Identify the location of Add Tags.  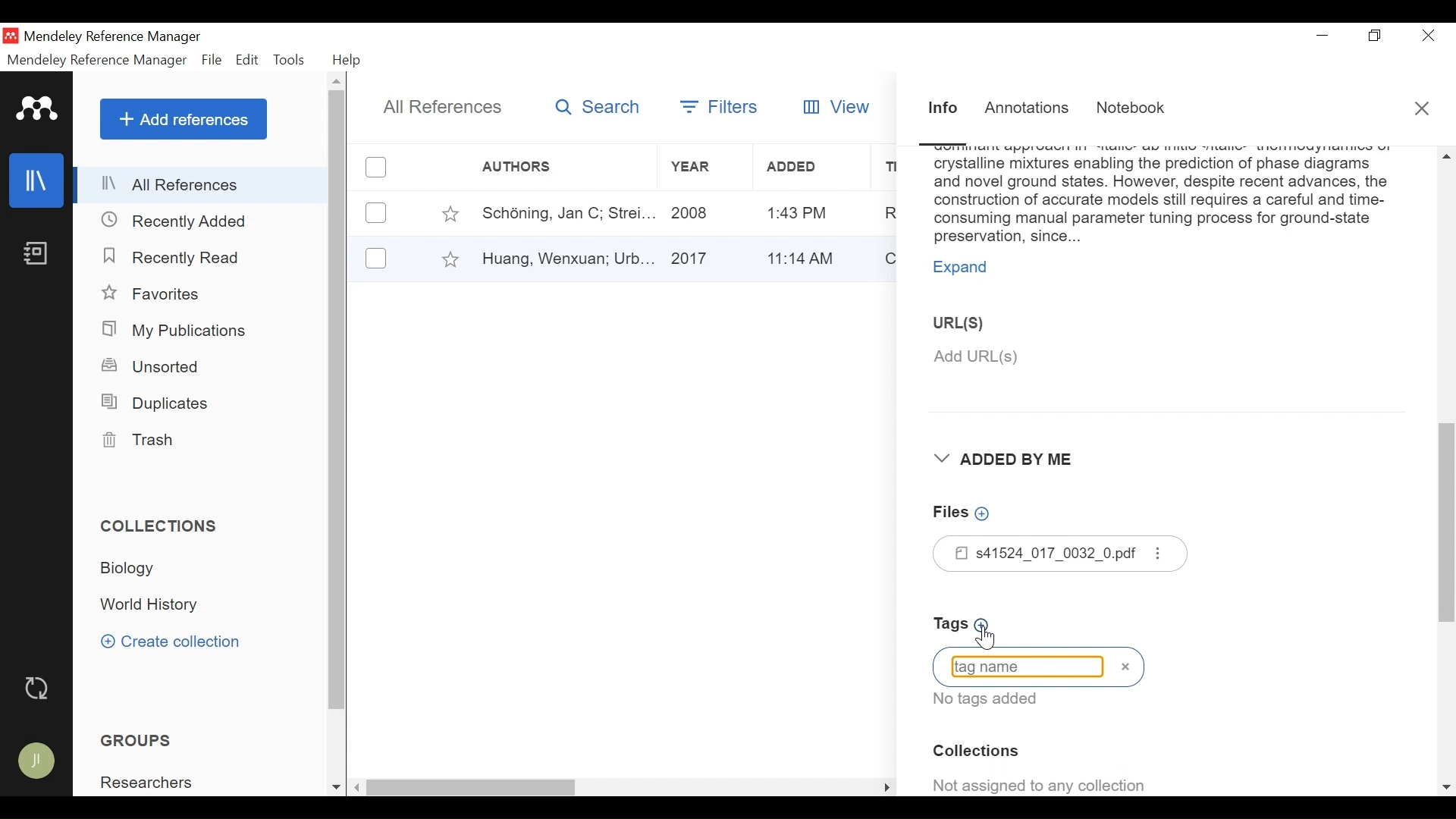
(966, 625).